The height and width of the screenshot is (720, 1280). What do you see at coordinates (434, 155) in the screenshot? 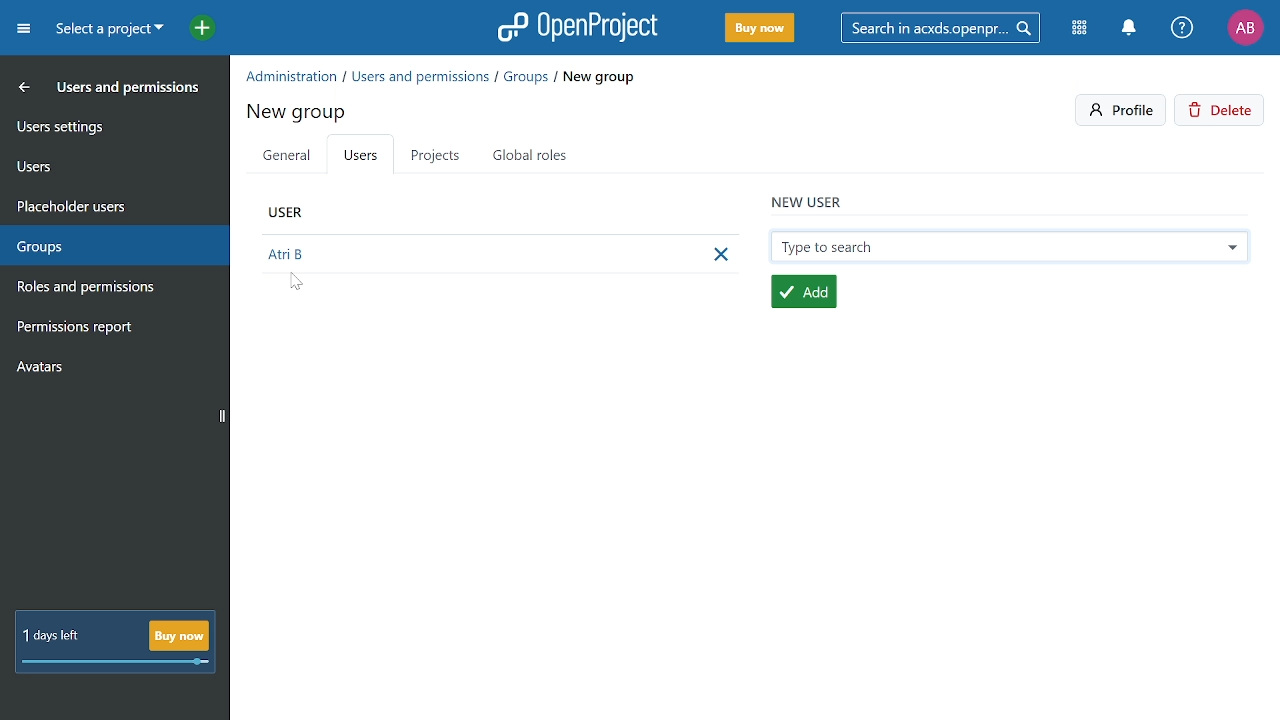
I see `Projects` at bounding box center [434, 155].